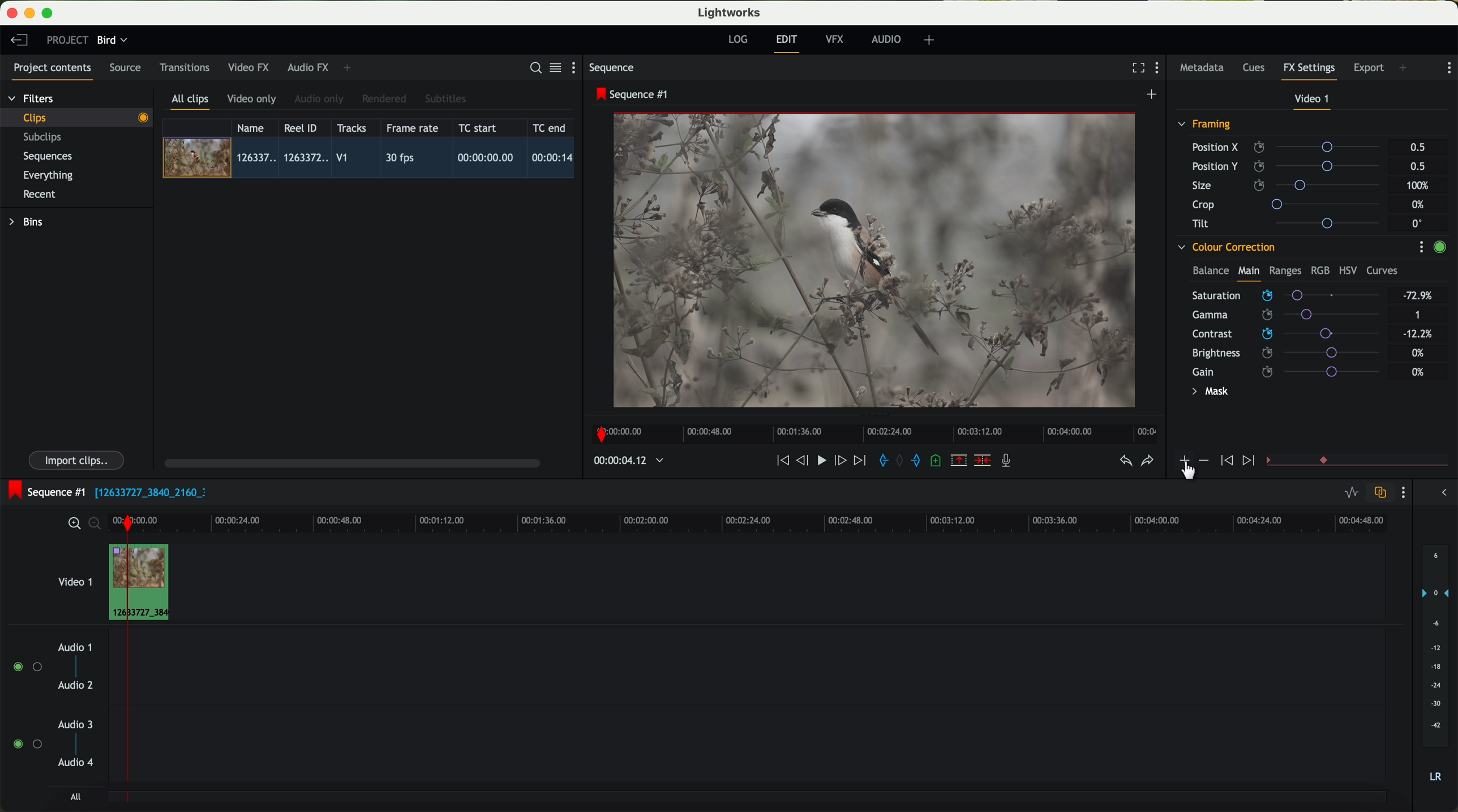  I want to click on crop, so click(1290, 204).